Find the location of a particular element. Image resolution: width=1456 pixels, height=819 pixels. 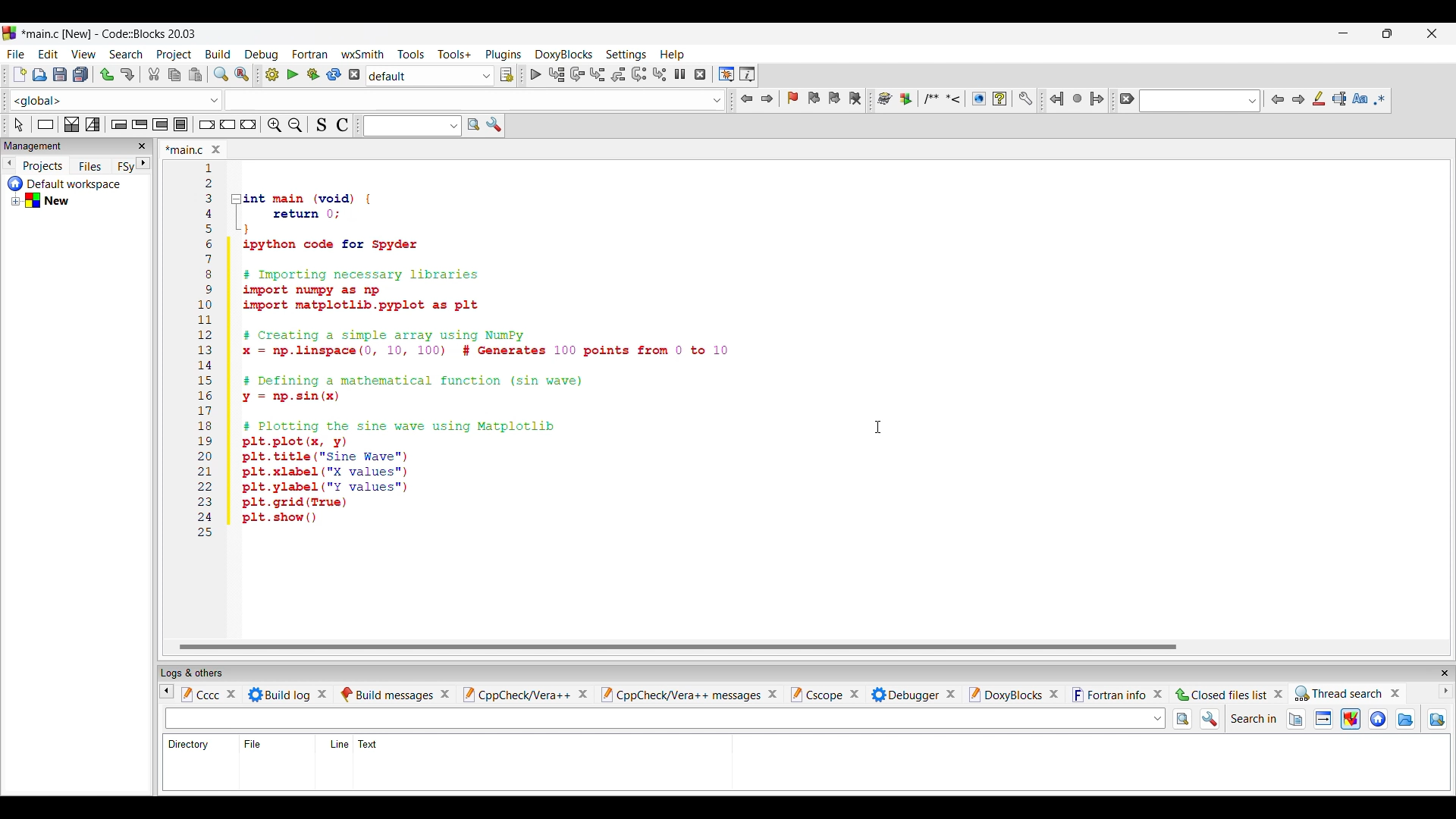

Search menu is located at coordinates (126, 55).